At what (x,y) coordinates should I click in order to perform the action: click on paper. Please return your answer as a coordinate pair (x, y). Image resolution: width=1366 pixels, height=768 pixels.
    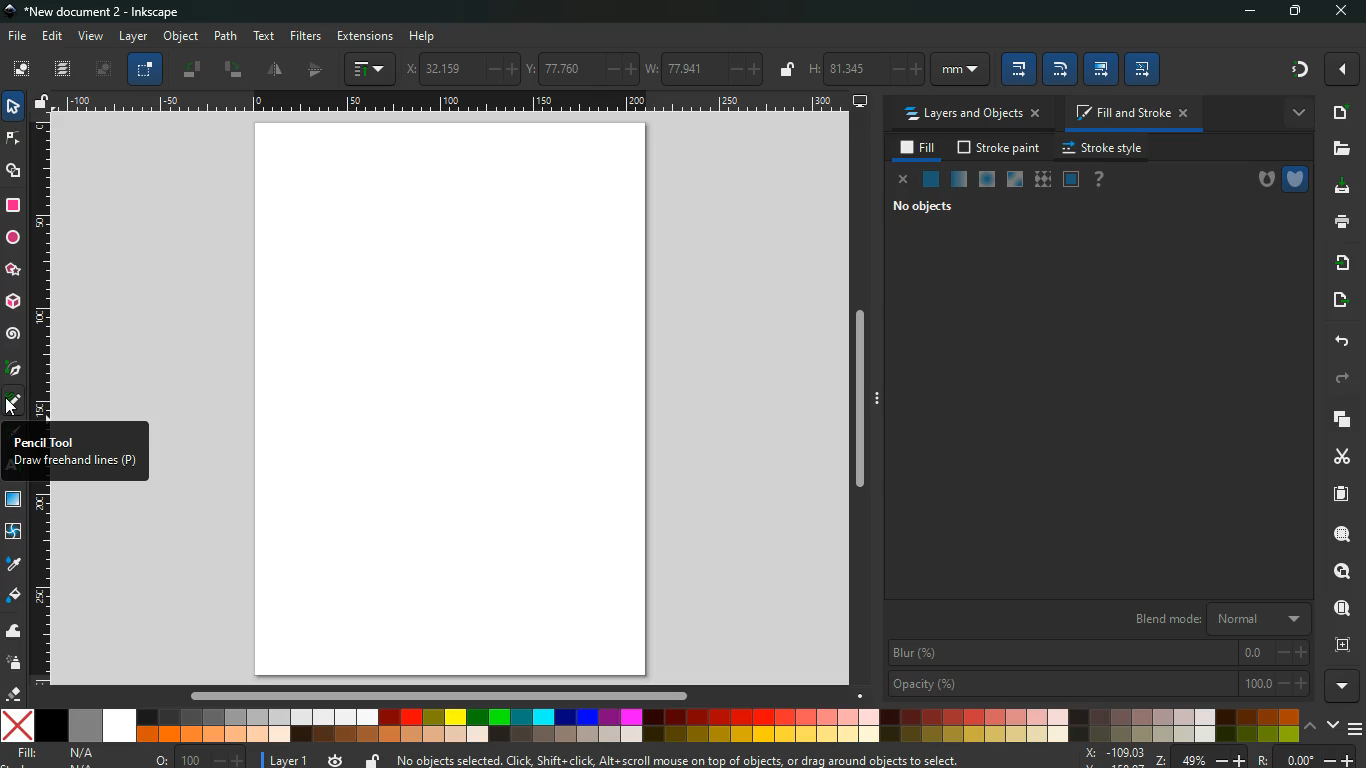
    Looking at the image, I should click on (1340, 494).